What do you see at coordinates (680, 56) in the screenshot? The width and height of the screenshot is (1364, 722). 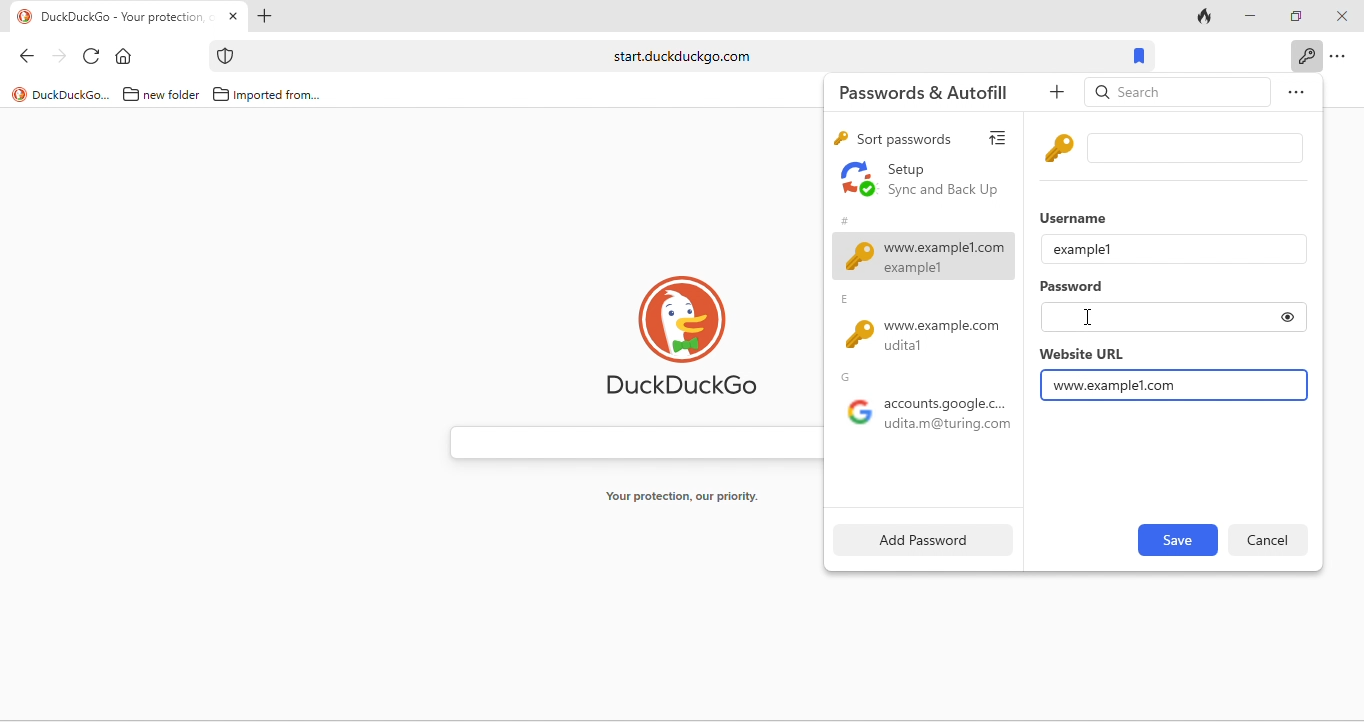 I see `start.duckduckgo.com` at bounding box center [680, 56].